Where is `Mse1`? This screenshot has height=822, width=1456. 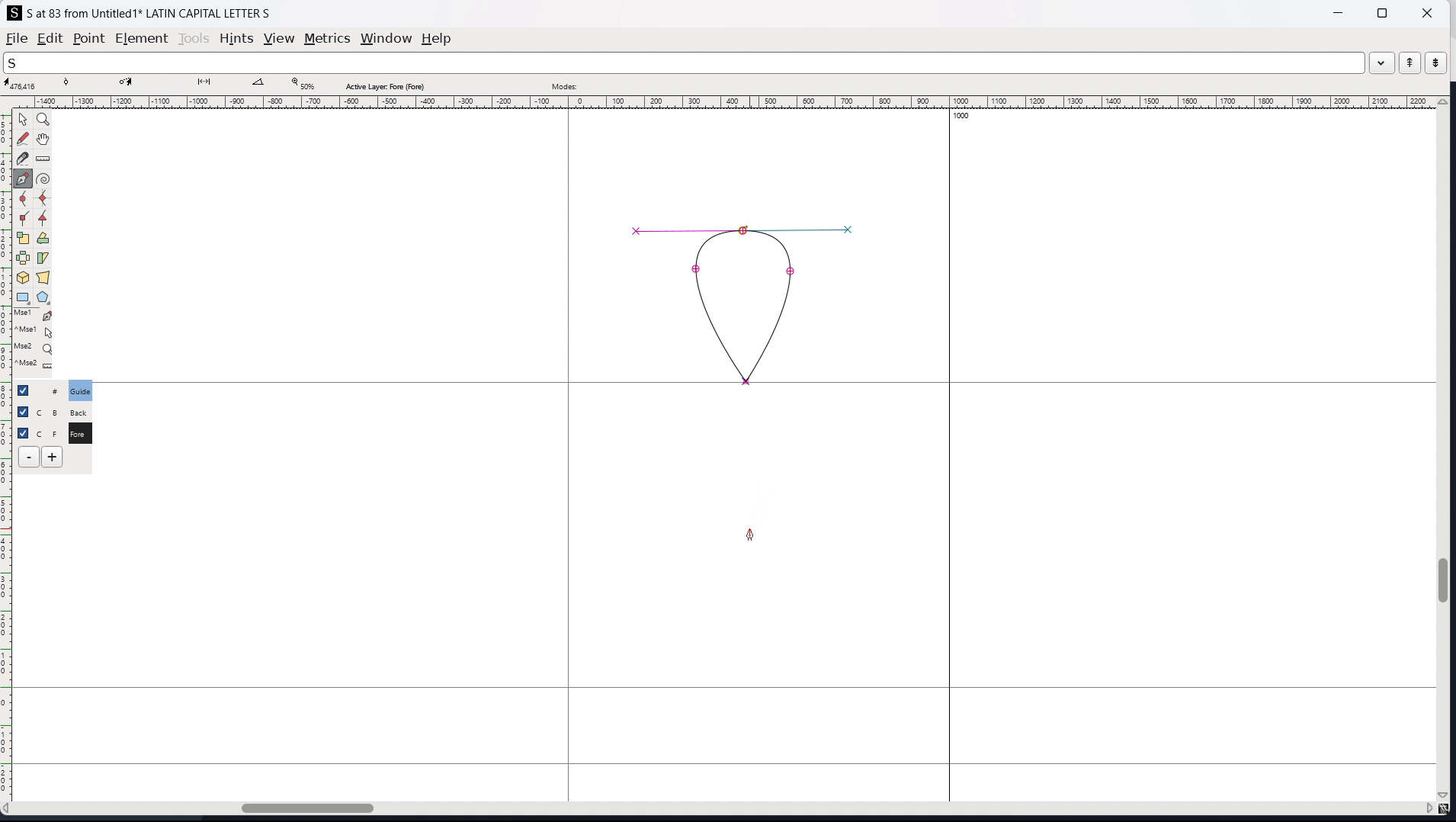 Mse1 is located at coordinates (34, 316).